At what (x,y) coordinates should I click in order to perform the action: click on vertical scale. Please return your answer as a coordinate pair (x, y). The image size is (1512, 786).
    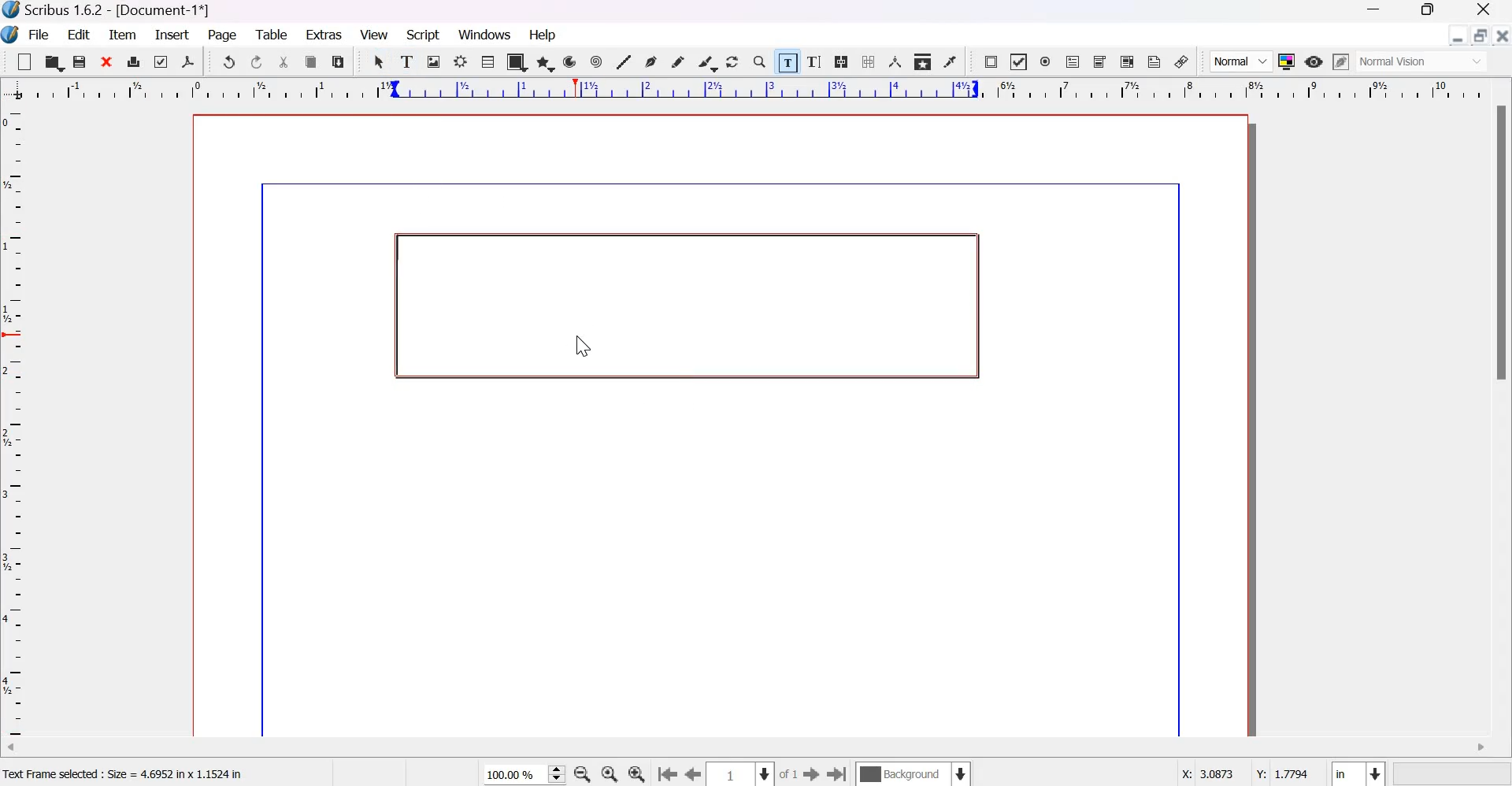
    Looking at the image, I should click on (18, 423).